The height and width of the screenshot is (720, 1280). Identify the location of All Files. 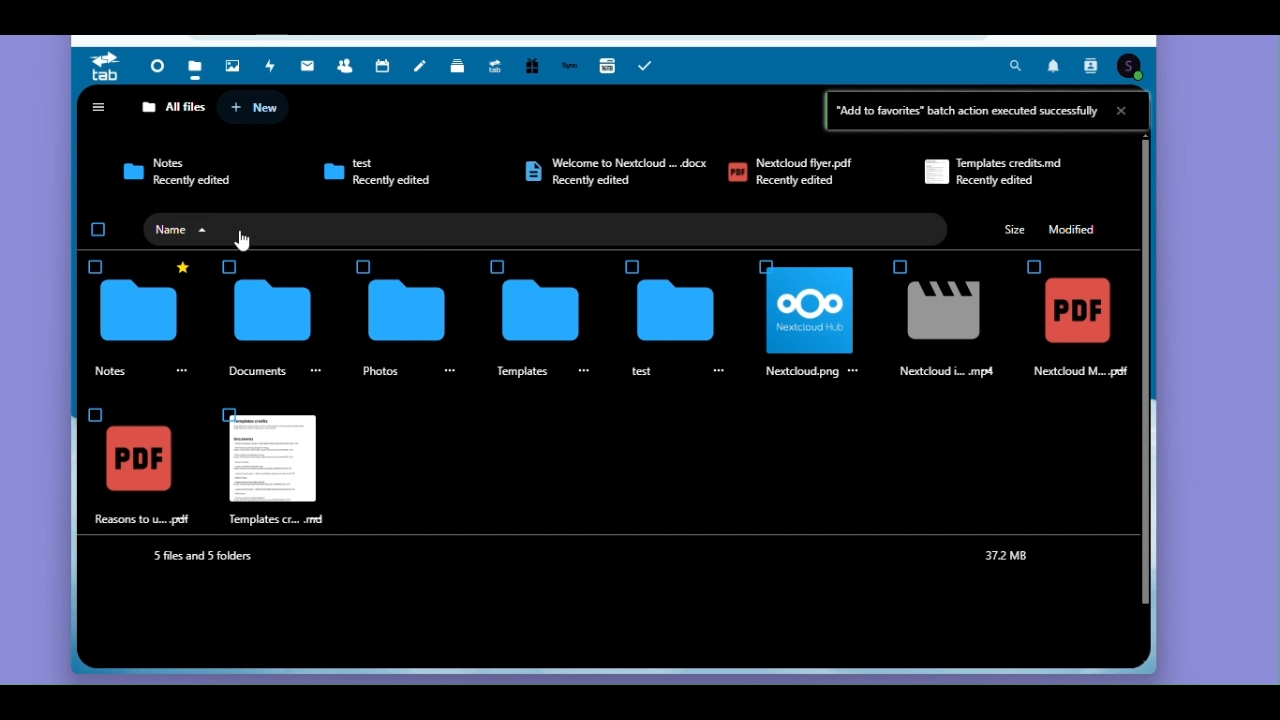
(174, 108).